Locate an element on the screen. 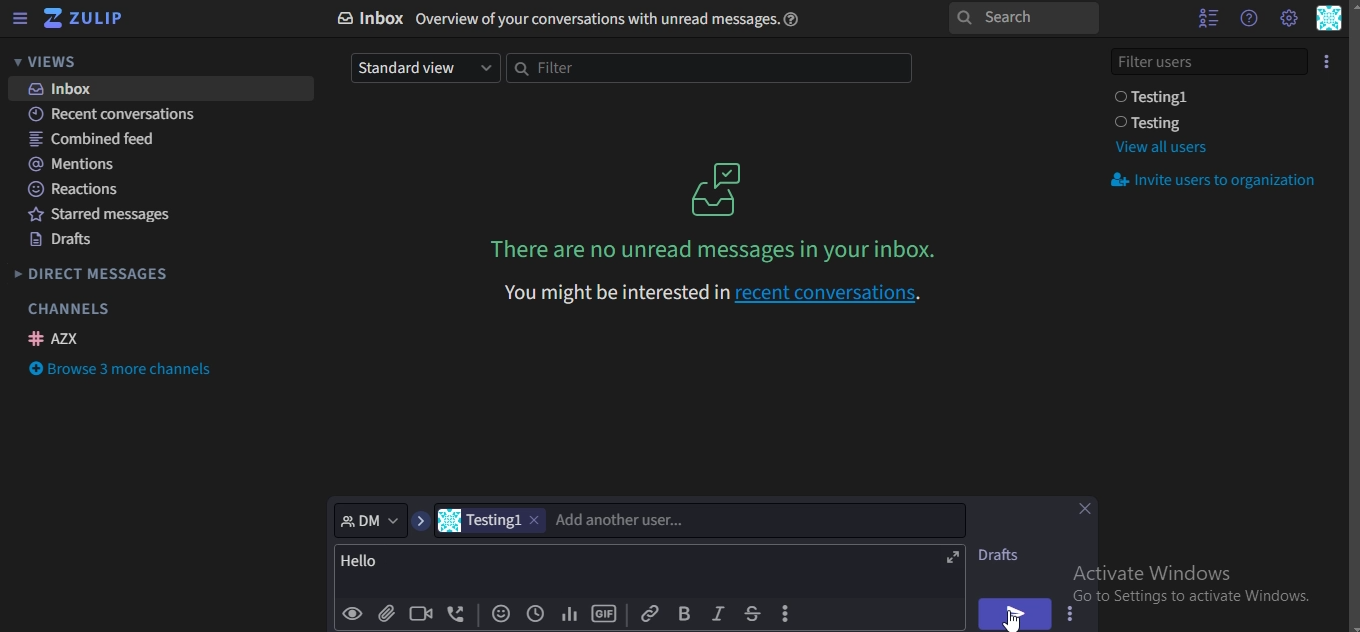  browse 3 more channels is located at coordinates (124, 371).